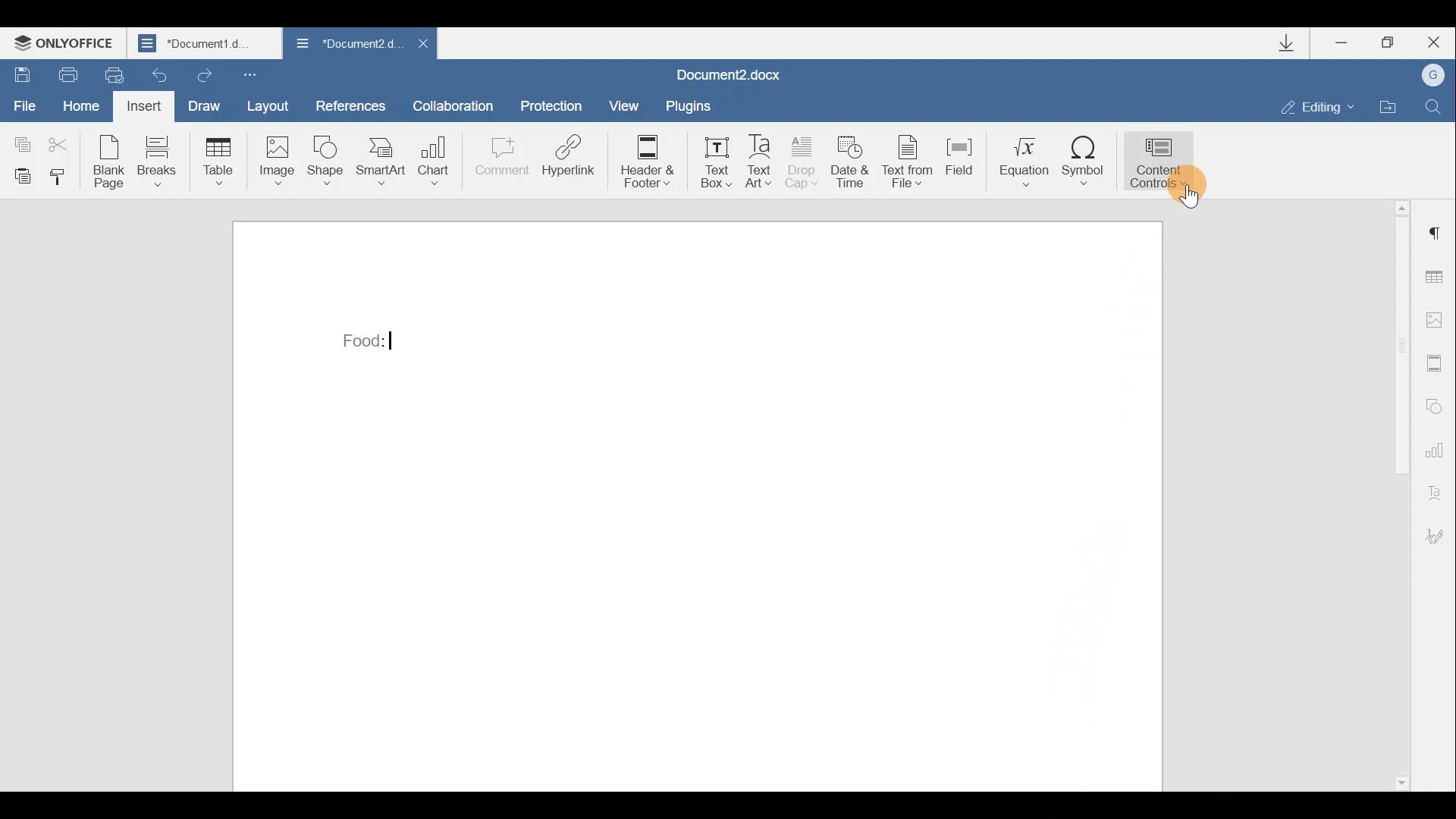 The width and height of the screenshot is (1456, 819). I want to click on Working area, so click(699, 513).